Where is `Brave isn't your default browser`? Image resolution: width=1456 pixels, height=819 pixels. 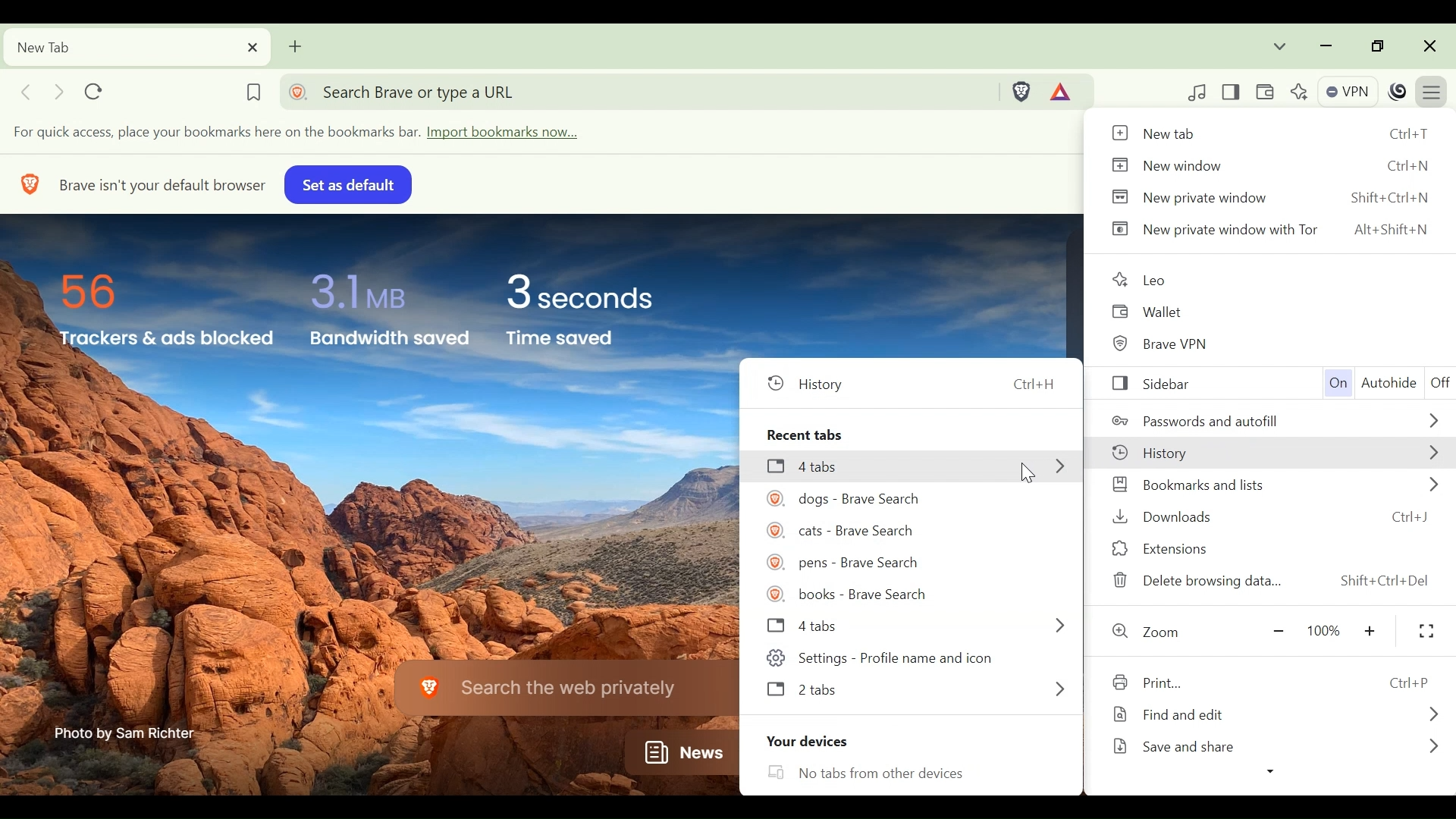 Brave isn't your default browser is located at coordinates (162, 182).